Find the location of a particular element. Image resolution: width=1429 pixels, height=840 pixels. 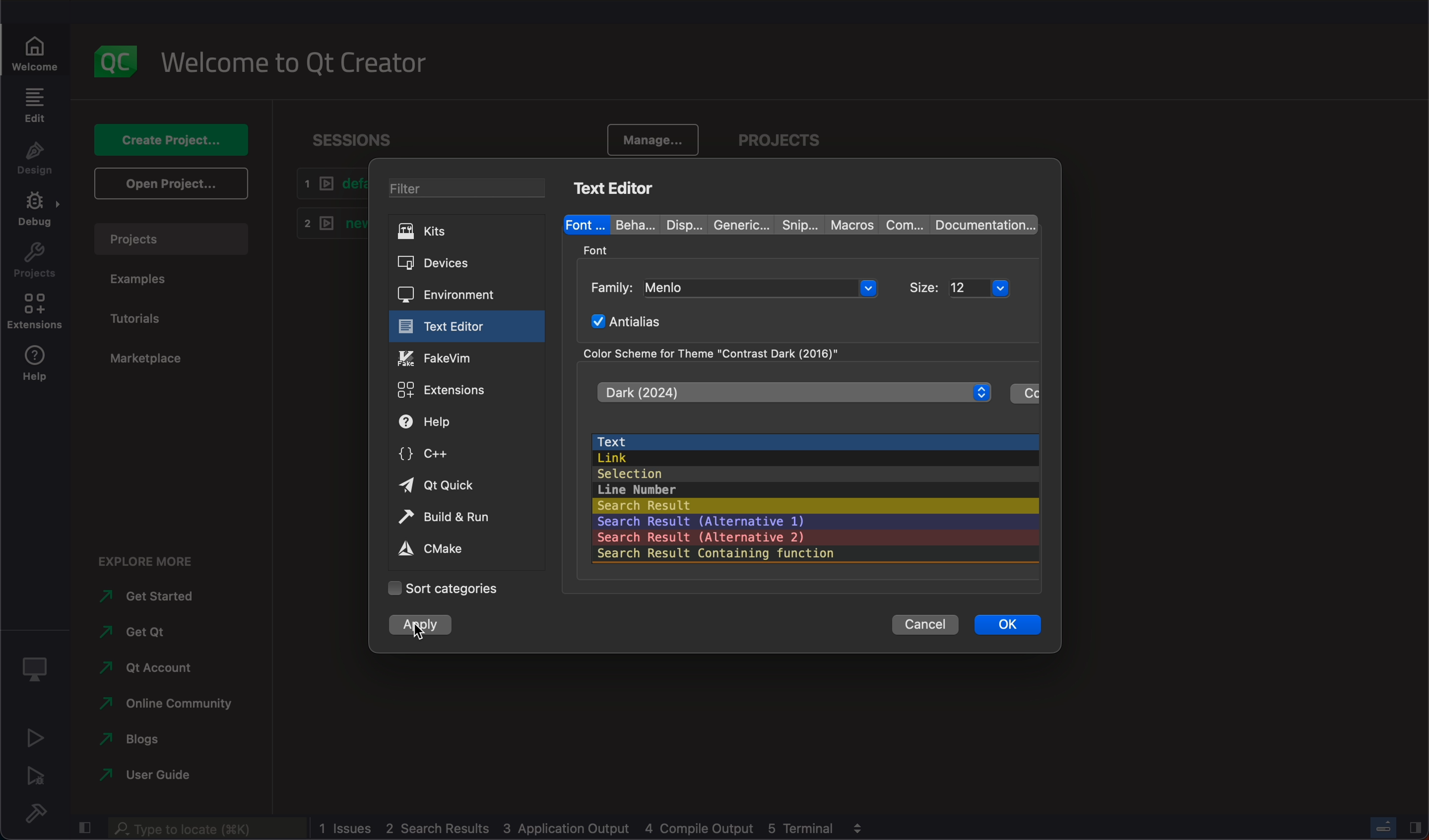

account is located at coordinates (150, 669).